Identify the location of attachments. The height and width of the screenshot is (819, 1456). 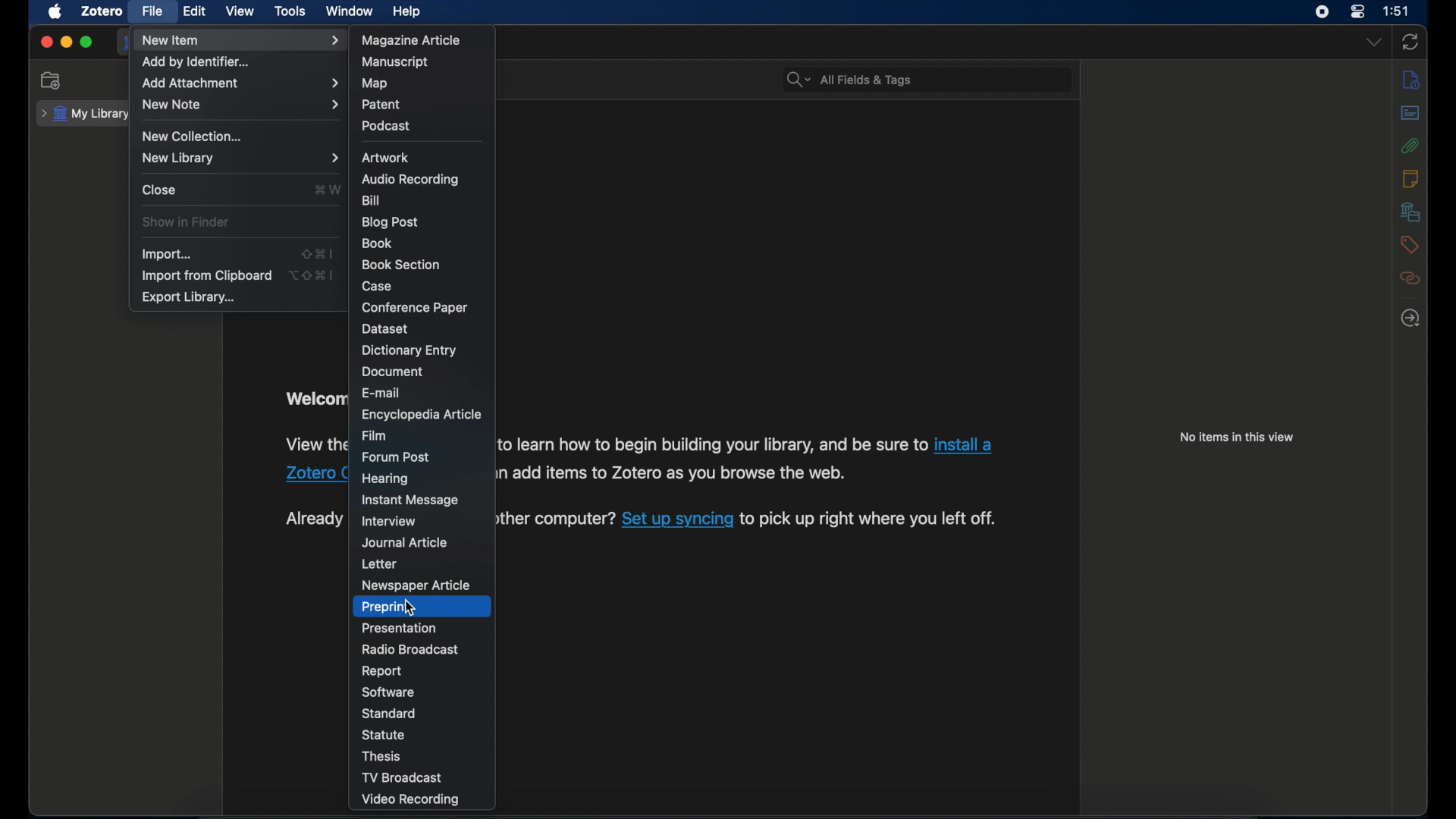
(1411, 146).